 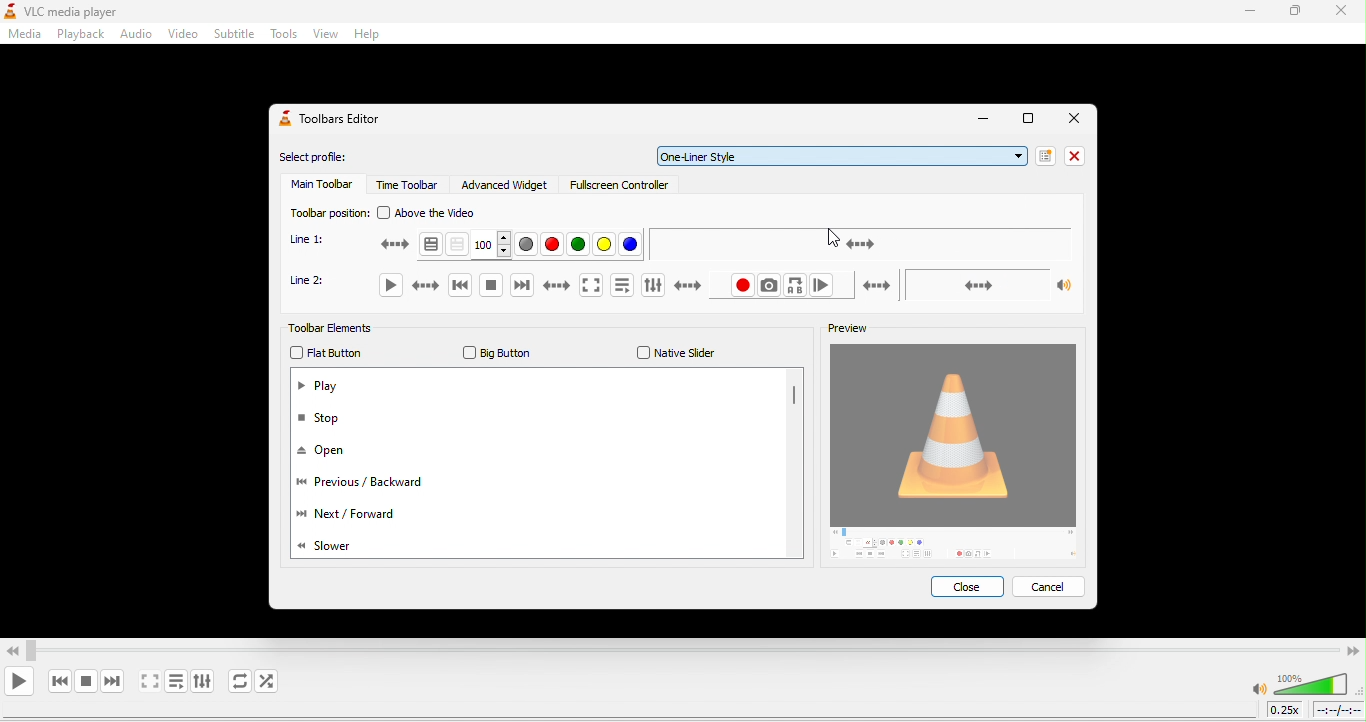 What do you see at coordinates (332, 155) in the screenshot?
I see `select profile` at bounding box center [332, 155].